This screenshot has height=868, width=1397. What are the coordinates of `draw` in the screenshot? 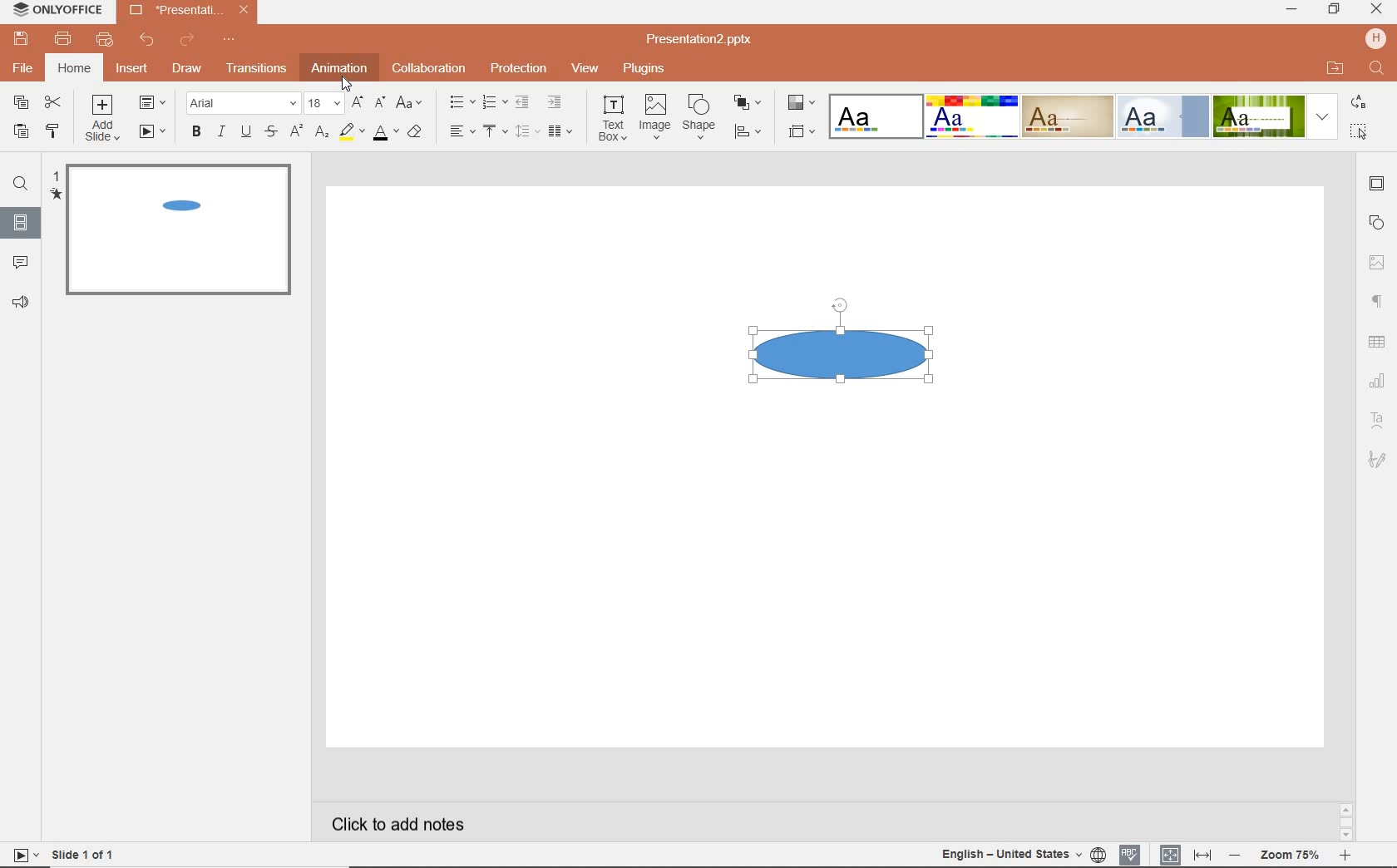 It's located at (186, 70).